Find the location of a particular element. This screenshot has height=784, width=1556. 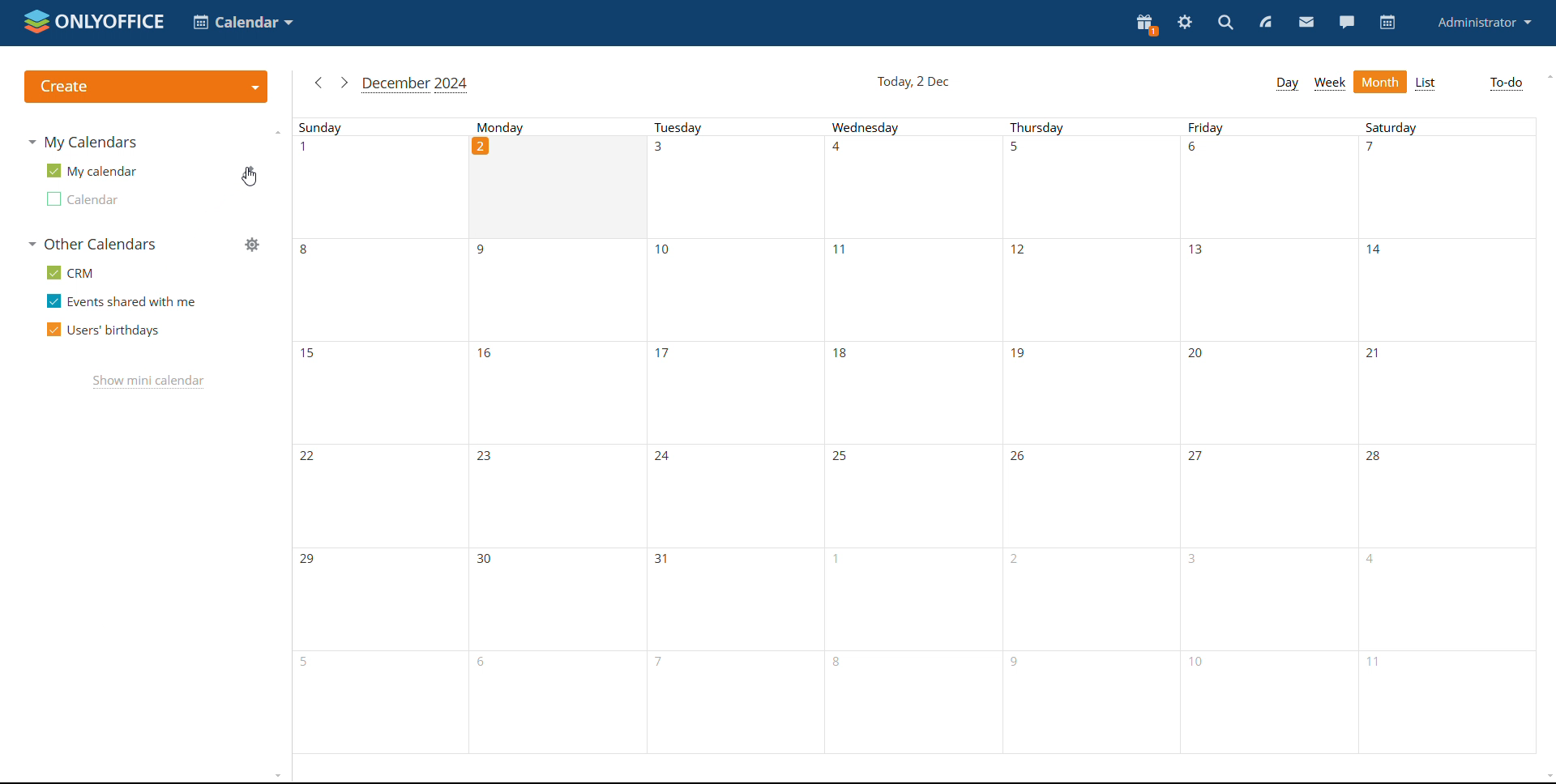

Tuesday is located at coordinates (730, 126).